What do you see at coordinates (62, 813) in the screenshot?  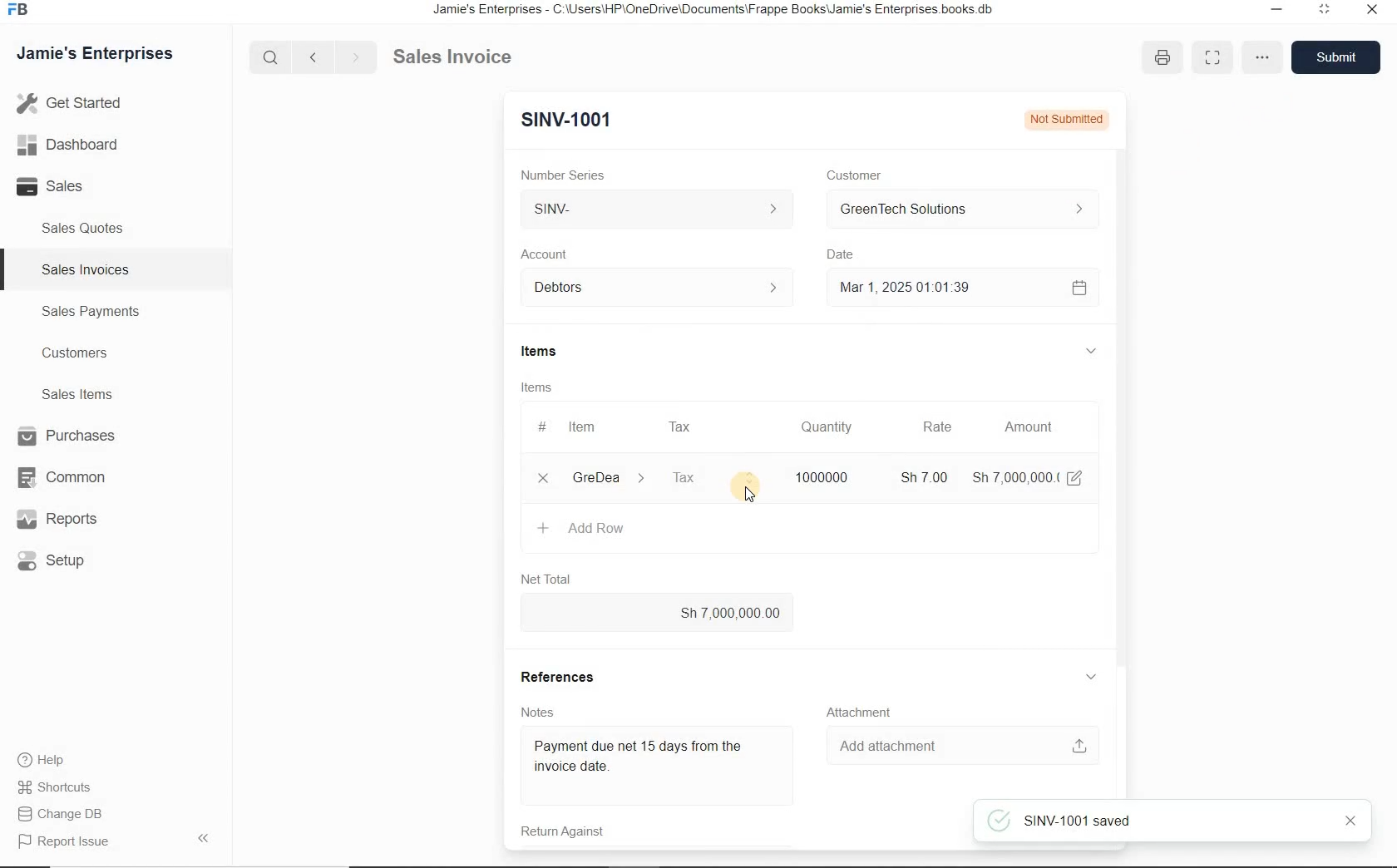 I see `Change DB` at bounding box center [62, 813].